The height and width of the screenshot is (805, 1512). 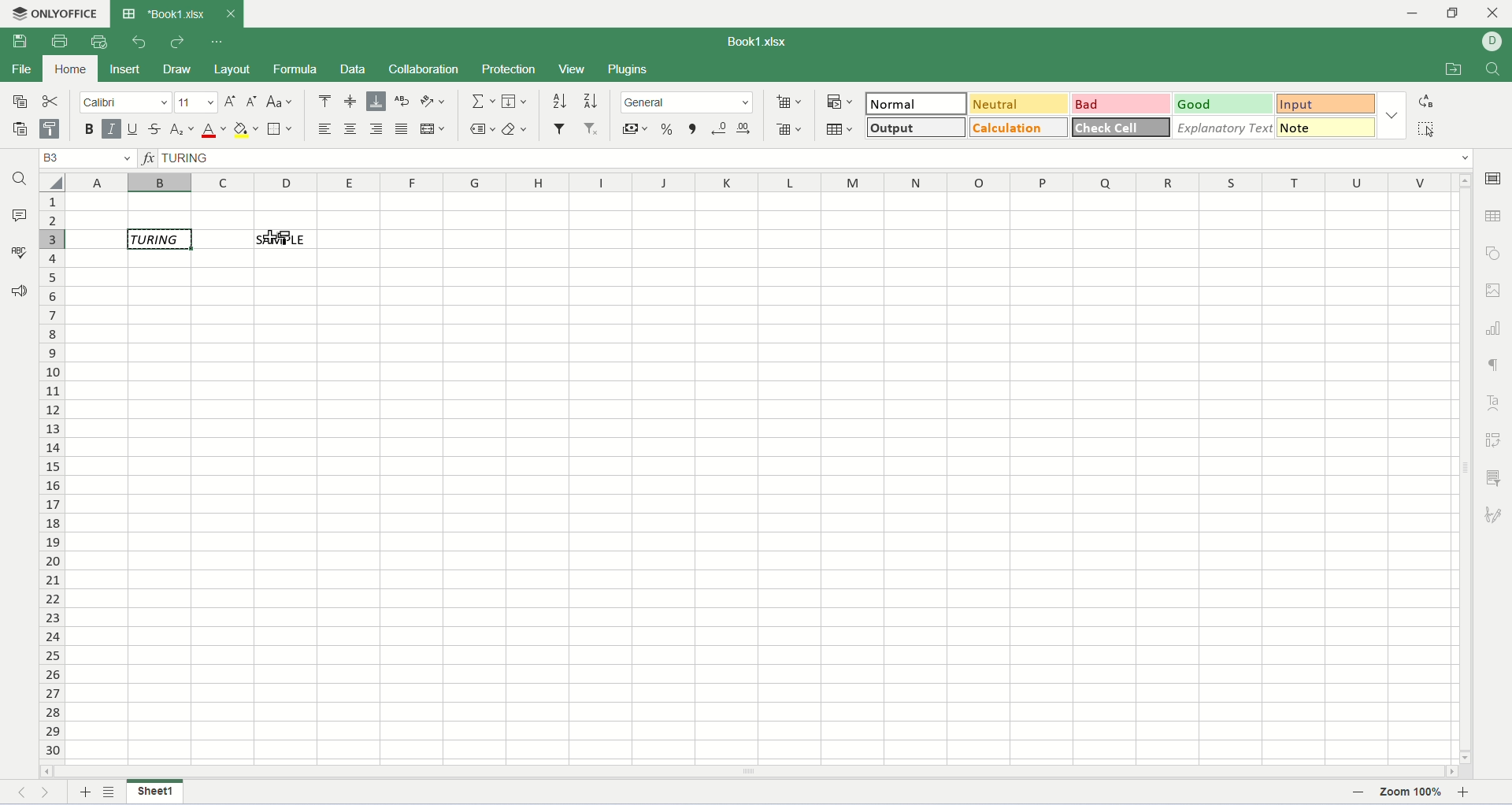 I want to click on zoom in, so click(x=1466, y=795).